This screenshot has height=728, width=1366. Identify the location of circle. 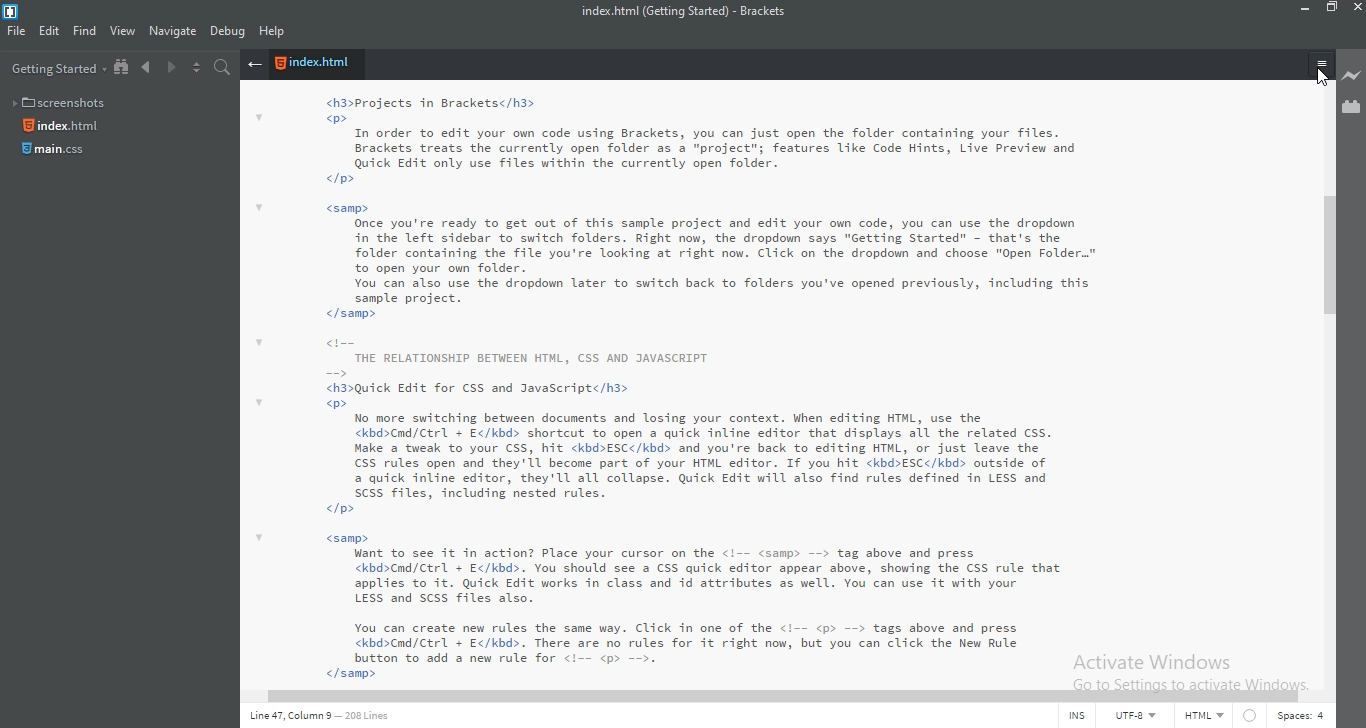
(1248, 718).